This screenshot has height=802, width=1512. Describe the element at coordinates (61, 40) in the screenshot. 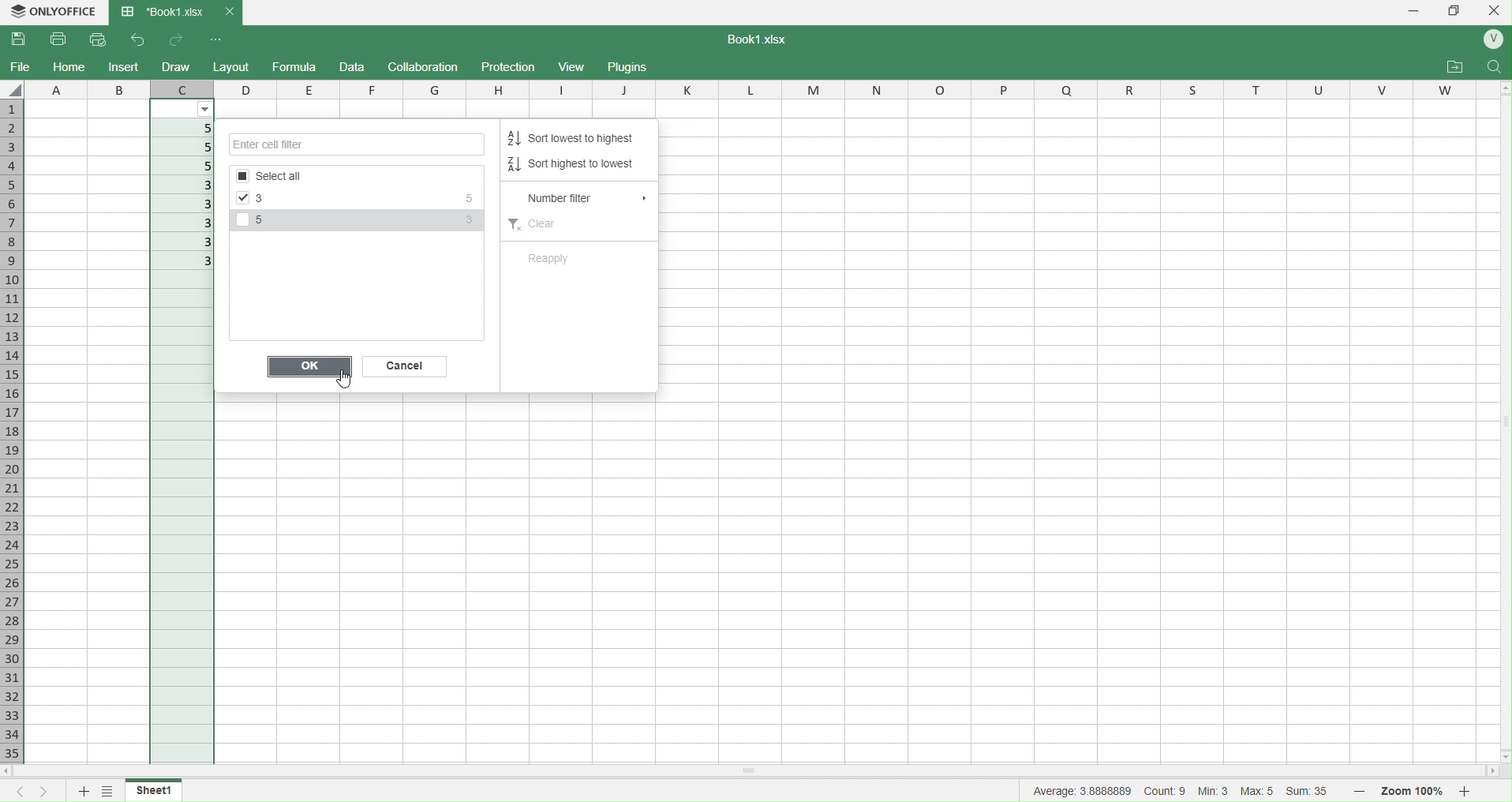

I see `Print File` at that location.